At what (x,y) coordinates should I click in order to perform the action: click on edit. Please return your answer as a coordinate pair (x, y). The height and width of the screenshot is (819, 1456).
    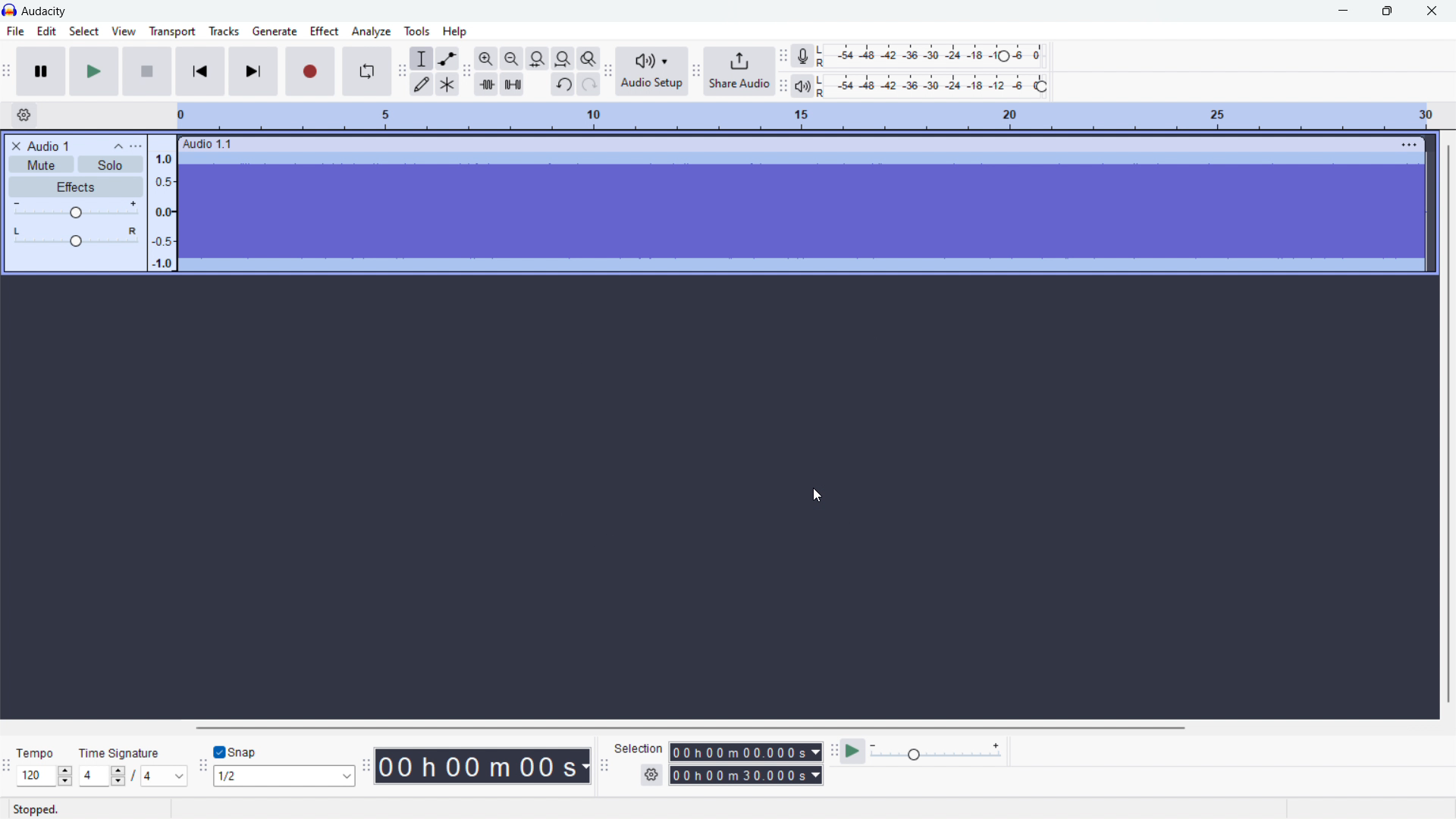
    Looking at the image, I should click on (46, 31).